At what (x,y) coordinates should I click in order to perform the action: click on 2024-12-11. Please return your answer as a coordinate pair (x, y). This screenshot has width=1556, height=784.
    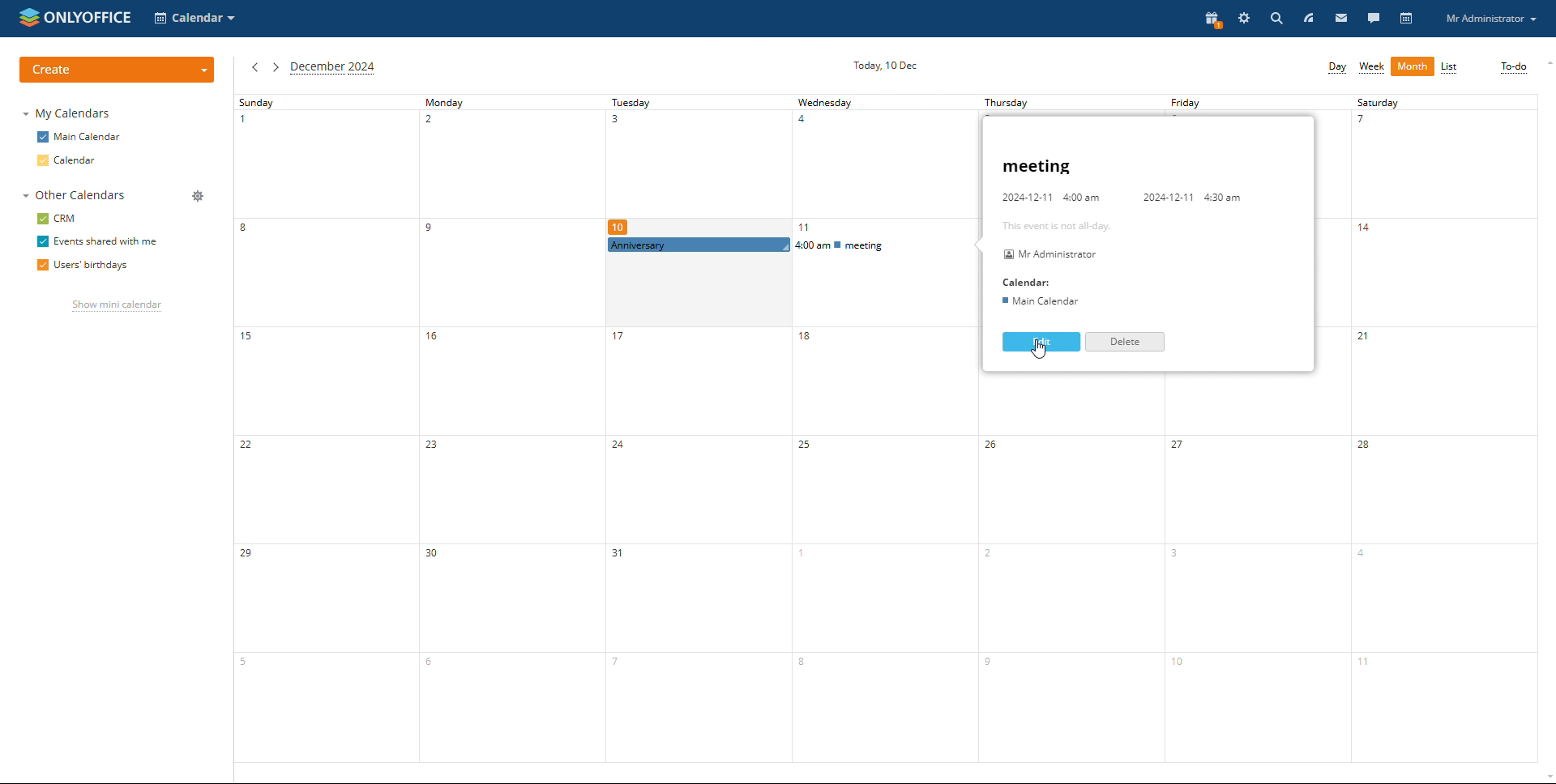
    Looking at the image, I should click on (1164, 198).